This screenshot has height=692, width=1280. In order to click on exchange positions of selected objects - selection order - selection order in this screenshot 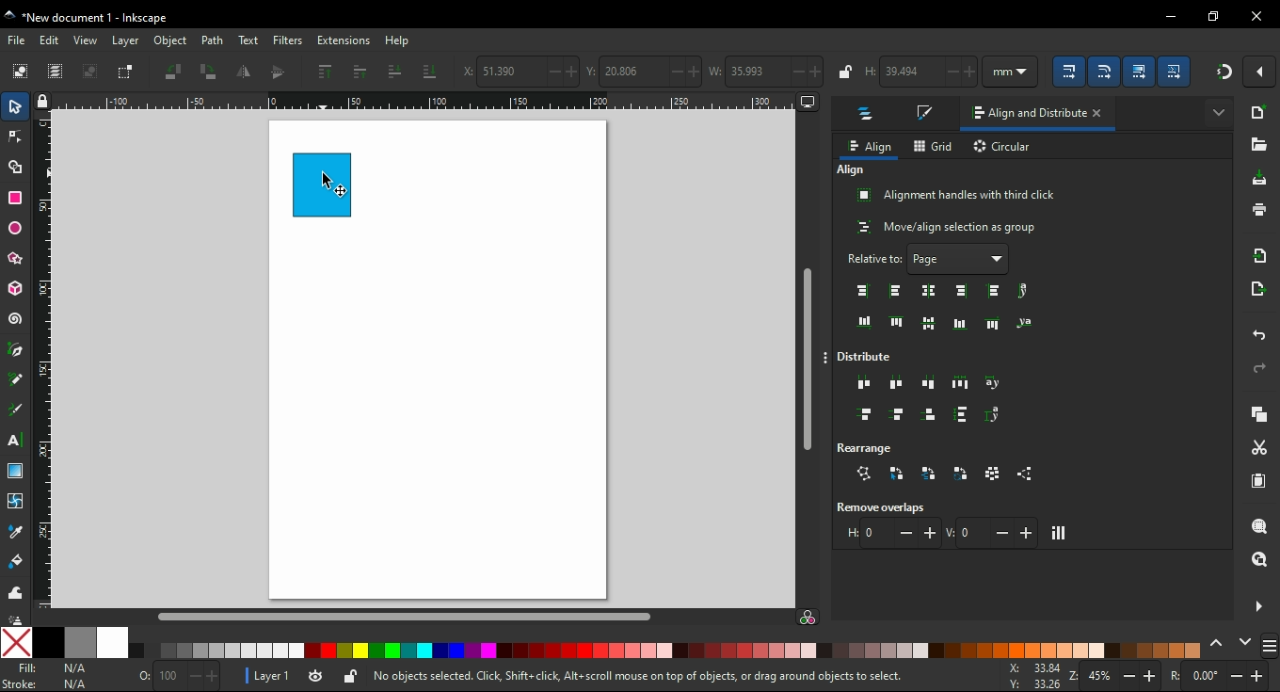, I will do `click(897, 473)`.